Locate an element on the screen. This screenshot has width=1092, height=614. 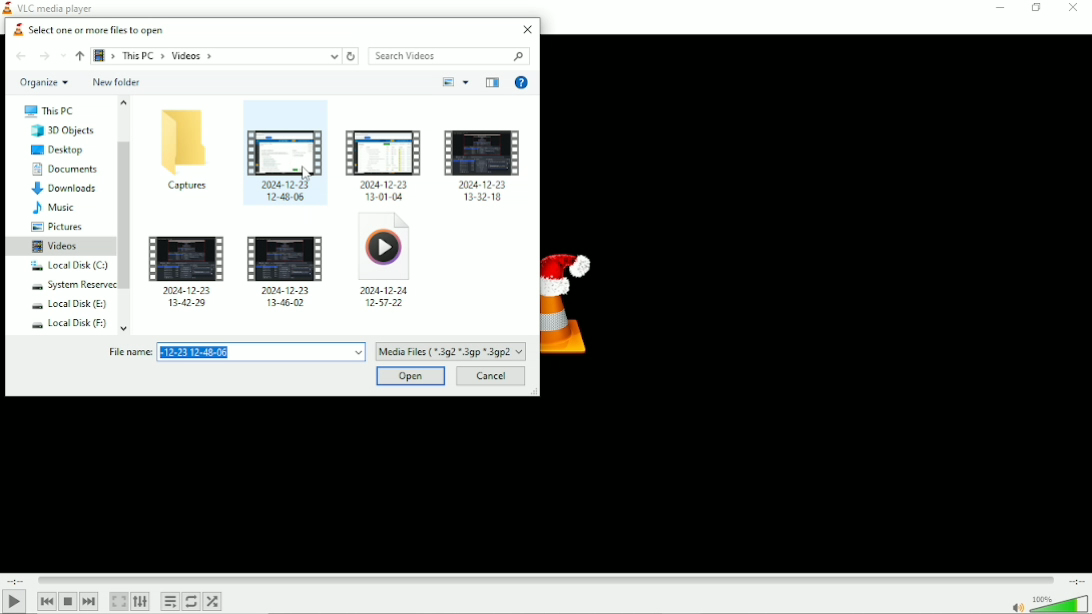
show Previous pane is located at coordinates (491, 82).